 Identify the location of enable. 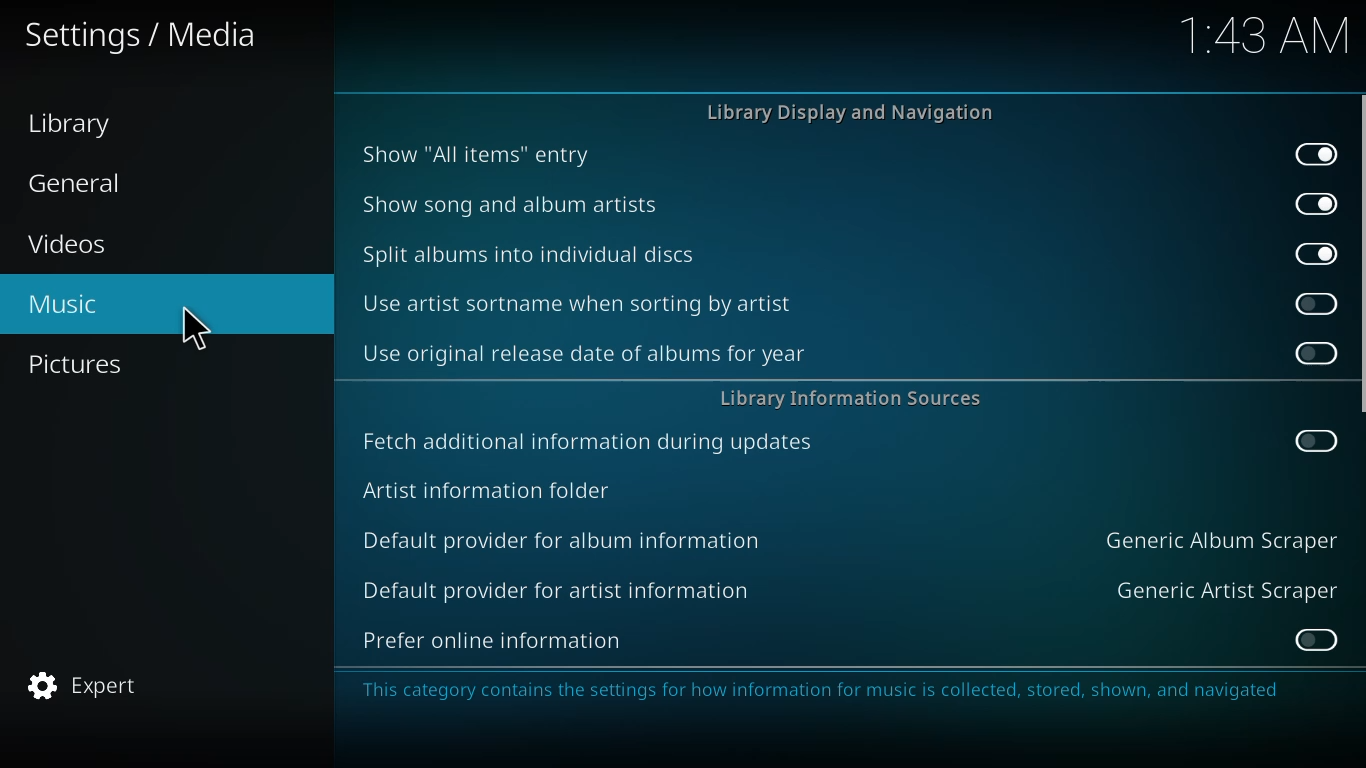
(1316, 302).